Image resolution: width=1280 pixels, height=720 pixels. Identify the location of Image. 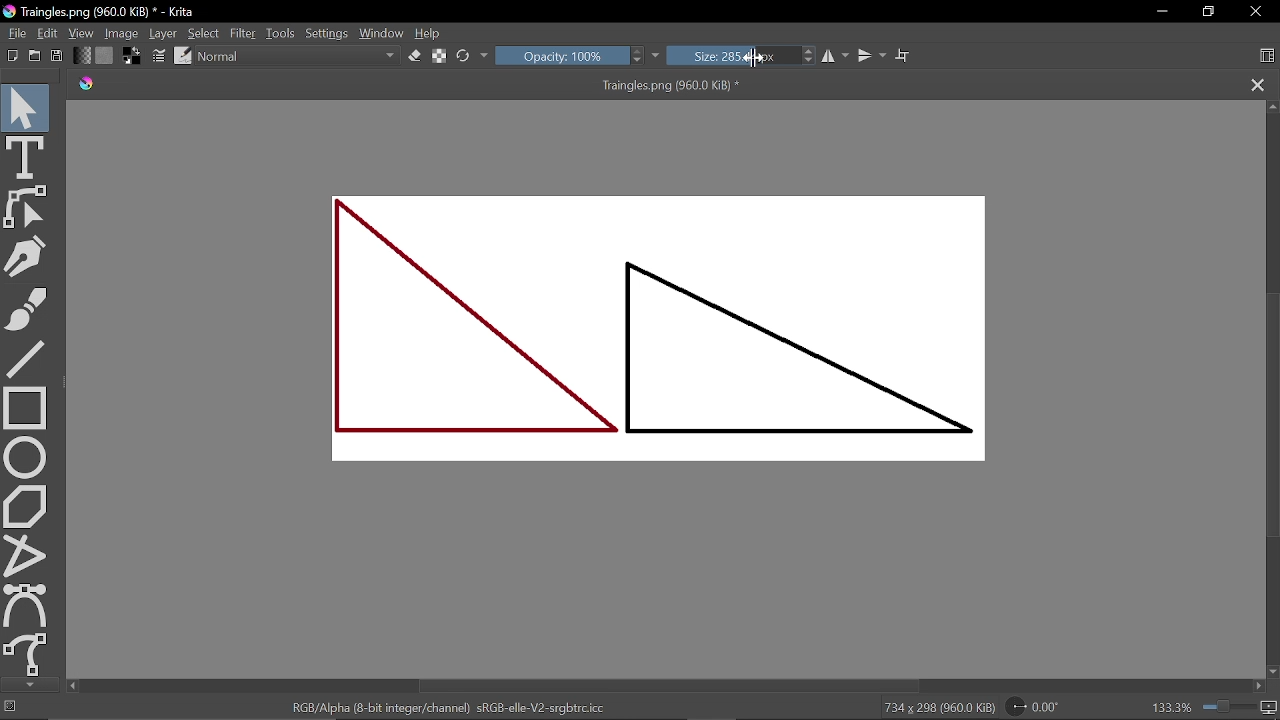
(121, 34).